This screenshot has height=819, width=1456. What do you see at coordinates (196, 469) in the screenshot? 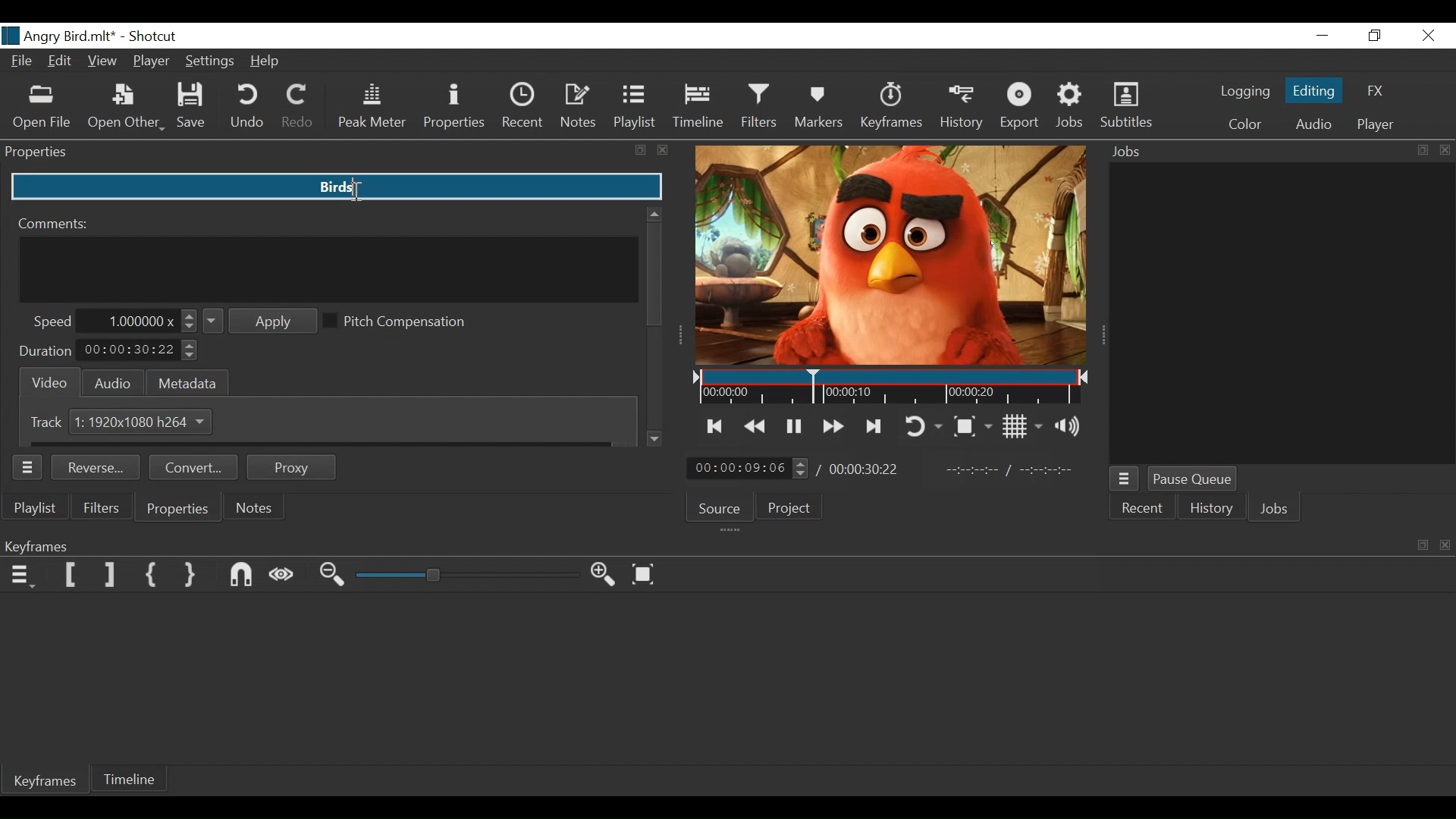
I see `Convert` at bounding box center [196, 469].